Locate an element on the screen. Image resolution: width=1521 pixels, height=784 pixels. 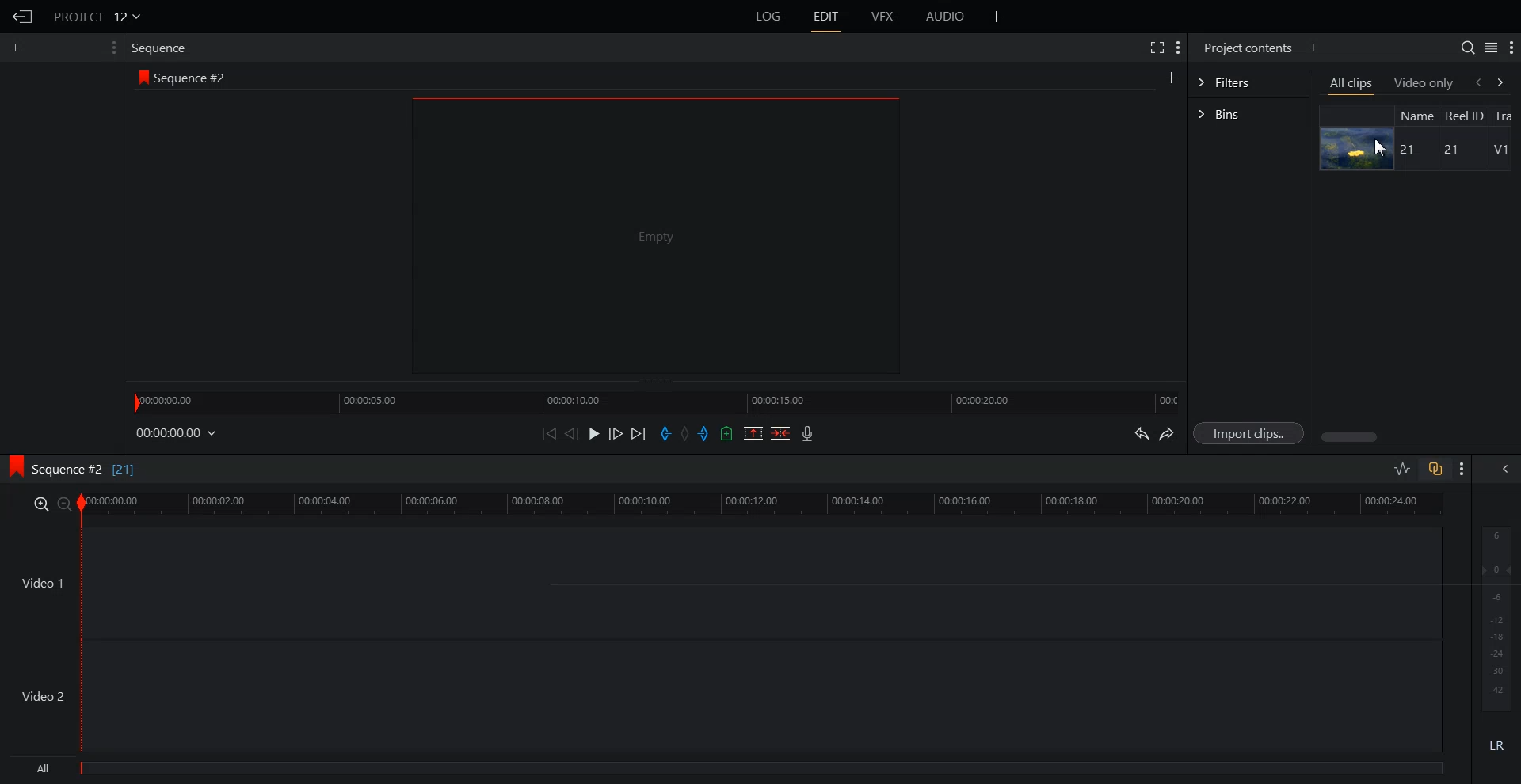
backward is located at coordinates (1477, 82).